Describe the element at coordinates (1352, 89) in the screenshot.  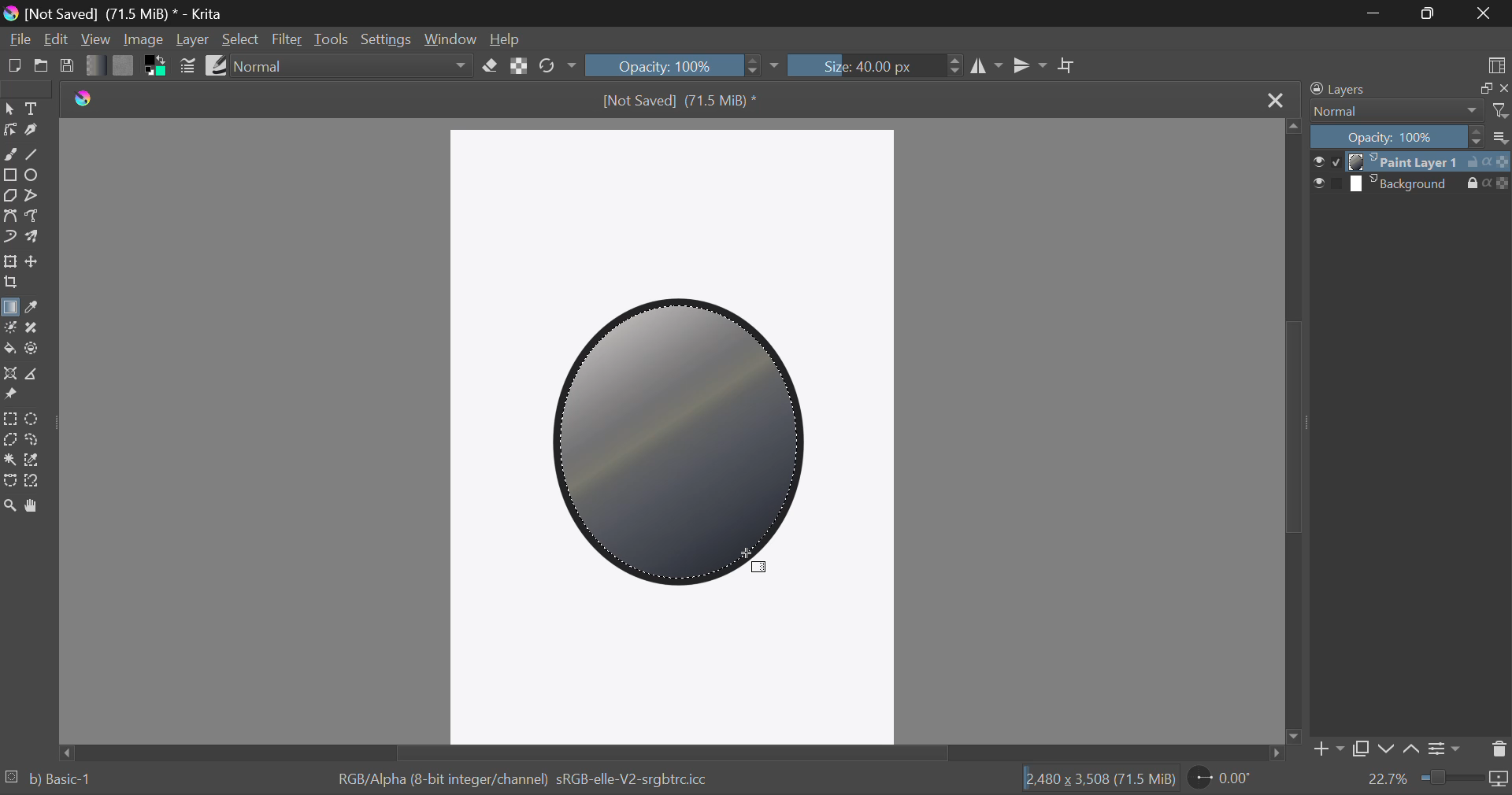
I see `Layers Docker` at that location.